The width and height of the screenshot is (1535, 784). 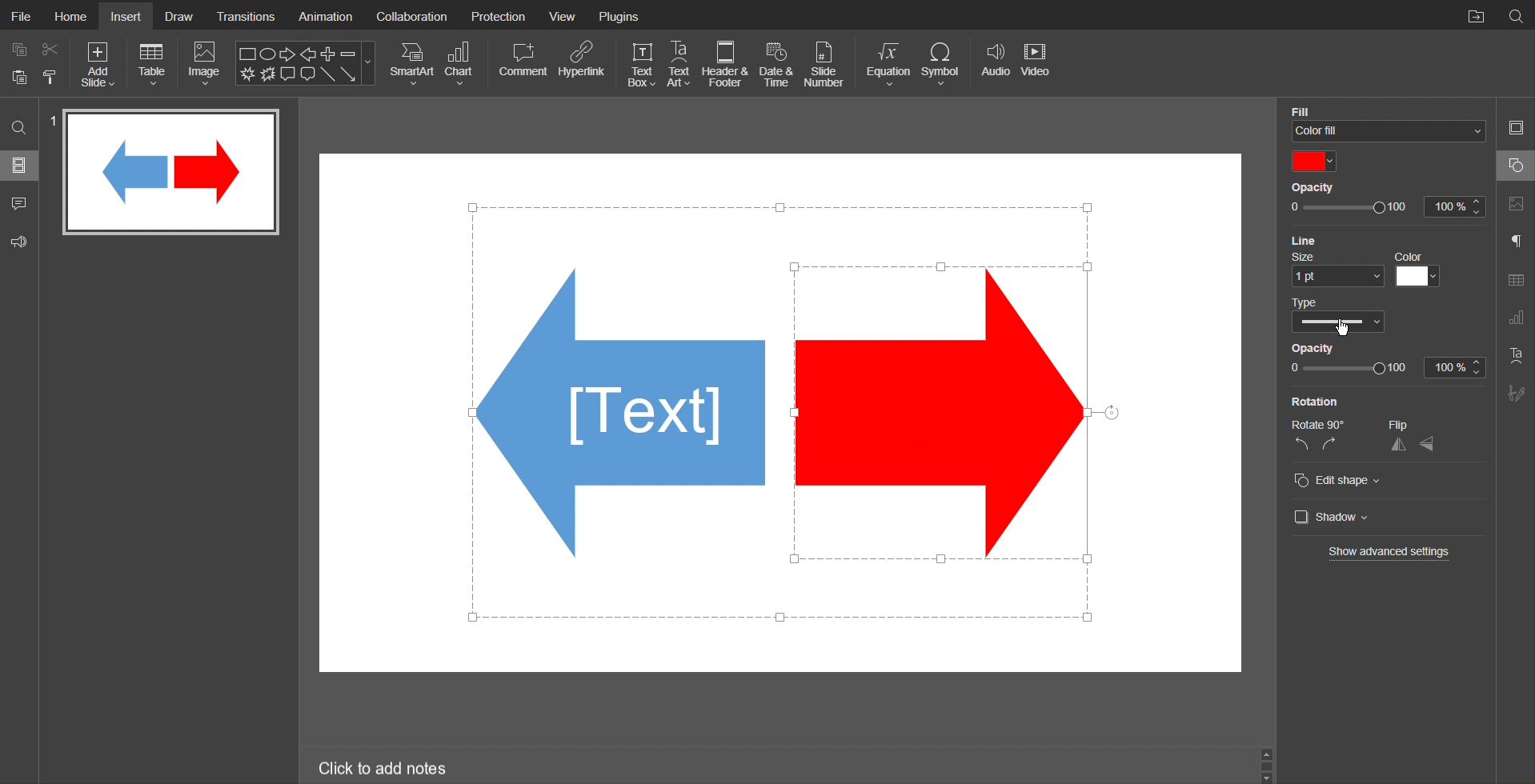 What do you see at coordinates (1429, 443) in the screenshot?
I see `vertical flip` at bounding box center [1429, 443].